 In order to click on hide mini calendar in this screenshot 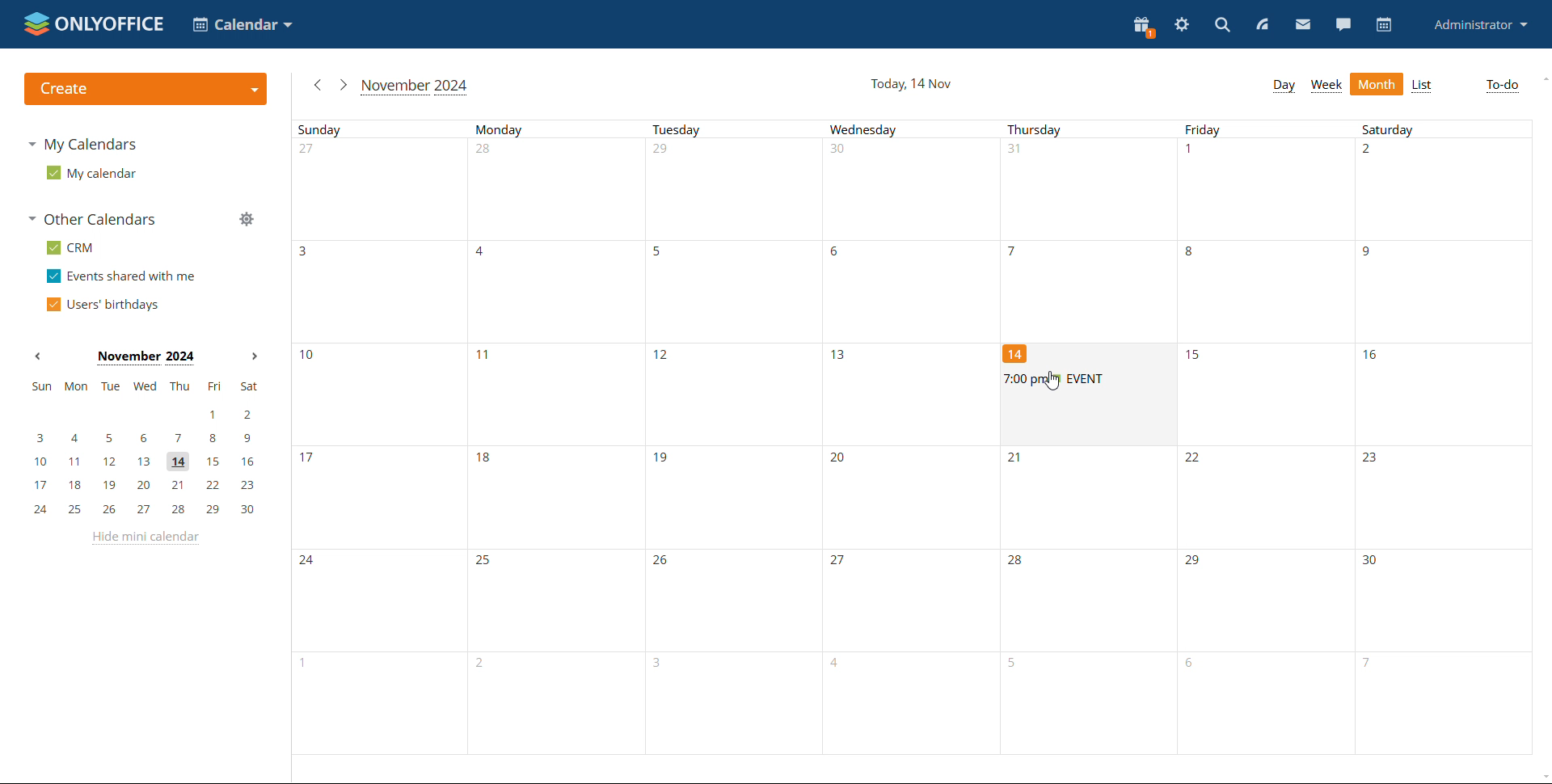, I will do `click(143, 537)`.